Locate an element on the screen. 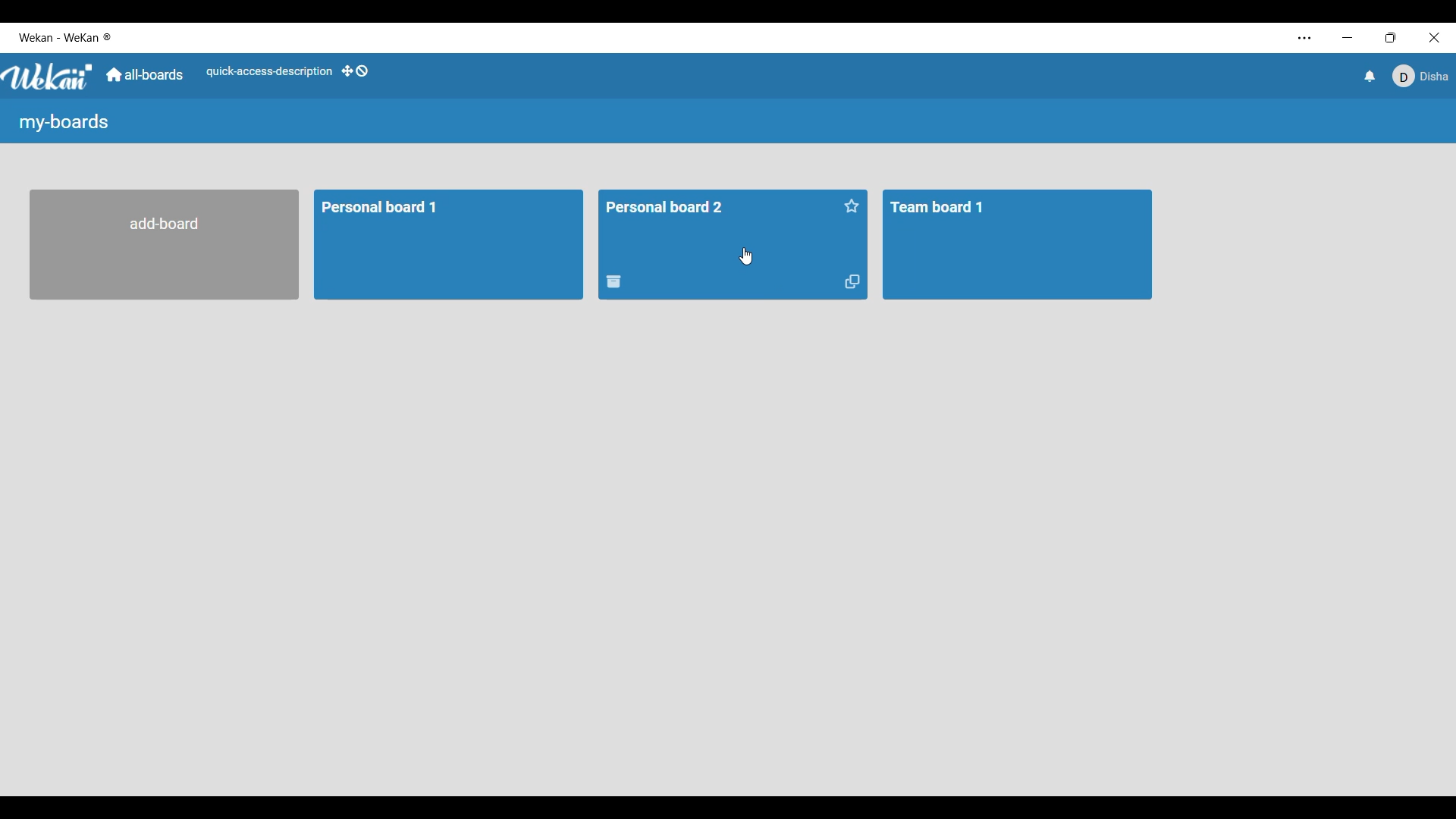  Current account  is located at coordinates (1420, 77).